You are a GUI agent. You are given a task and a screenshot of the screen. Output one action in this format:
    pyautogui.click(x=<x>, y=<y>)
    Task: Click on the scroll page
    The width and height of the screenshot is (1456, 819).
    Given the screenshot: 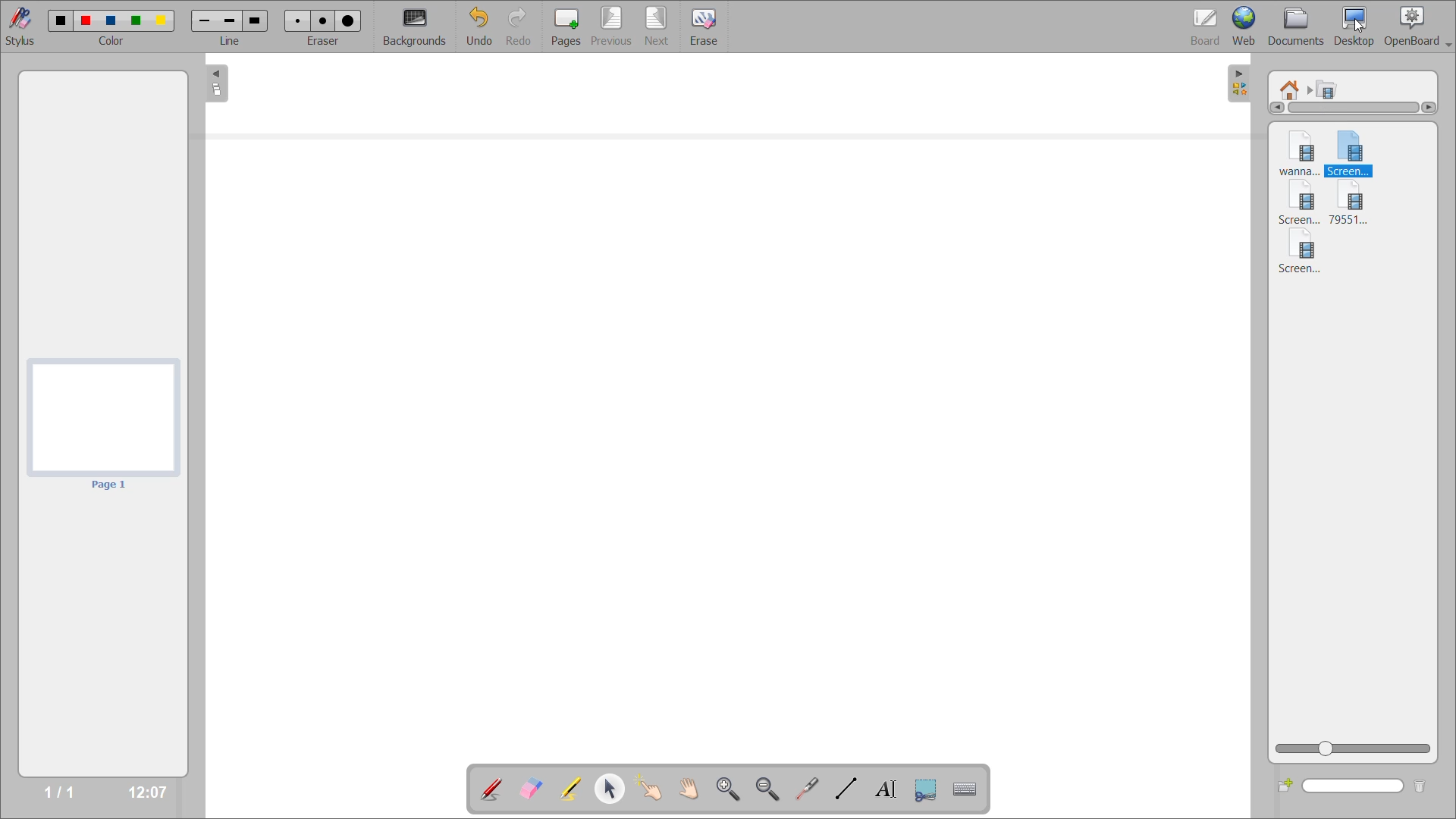 What is the action you would take?
    pyautogui.click(x=689, y=786)
    